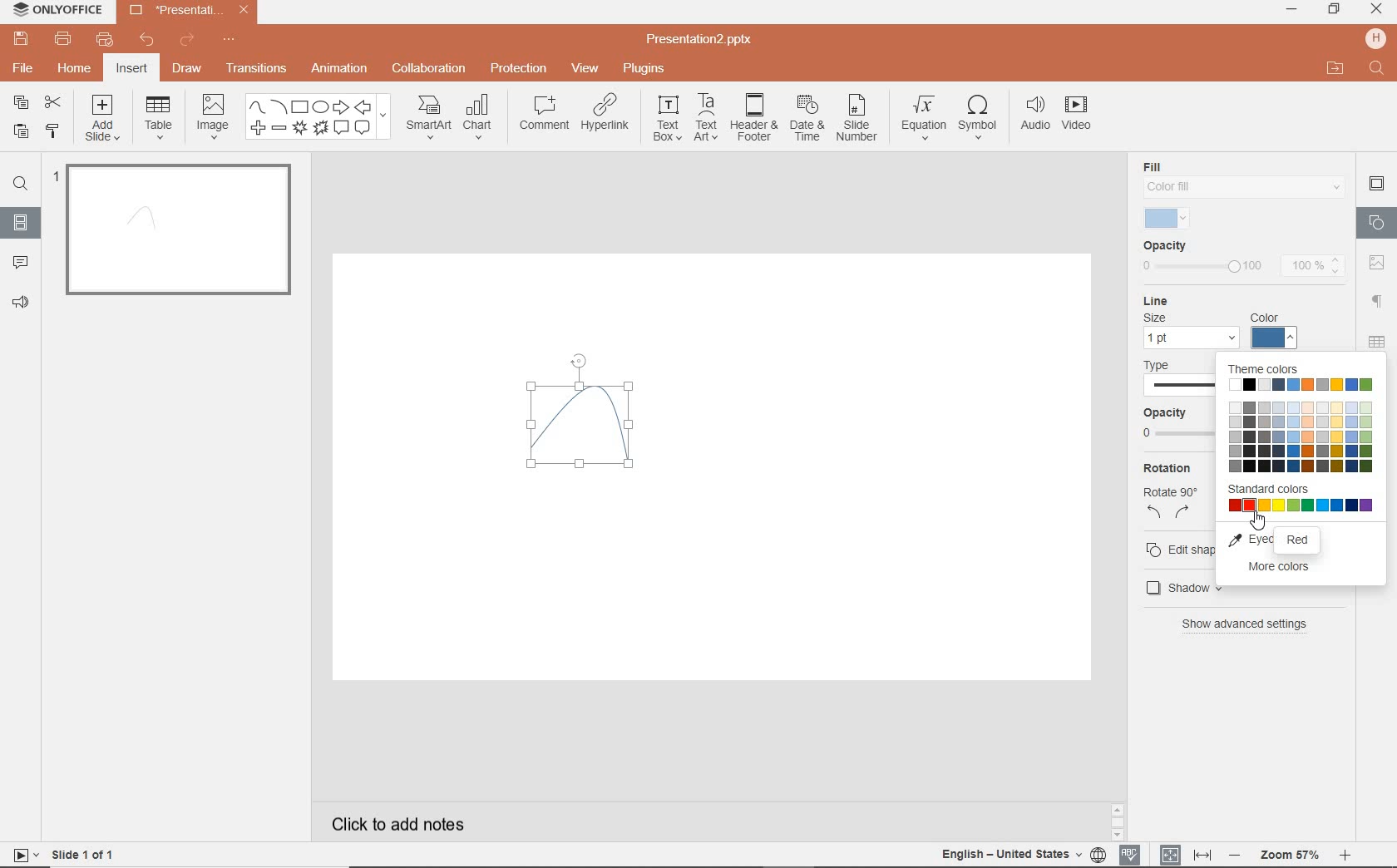  What do you see at coordinates (62, 38) in the screenshot?
I see `PRINT` at bounding box center [62, 38].